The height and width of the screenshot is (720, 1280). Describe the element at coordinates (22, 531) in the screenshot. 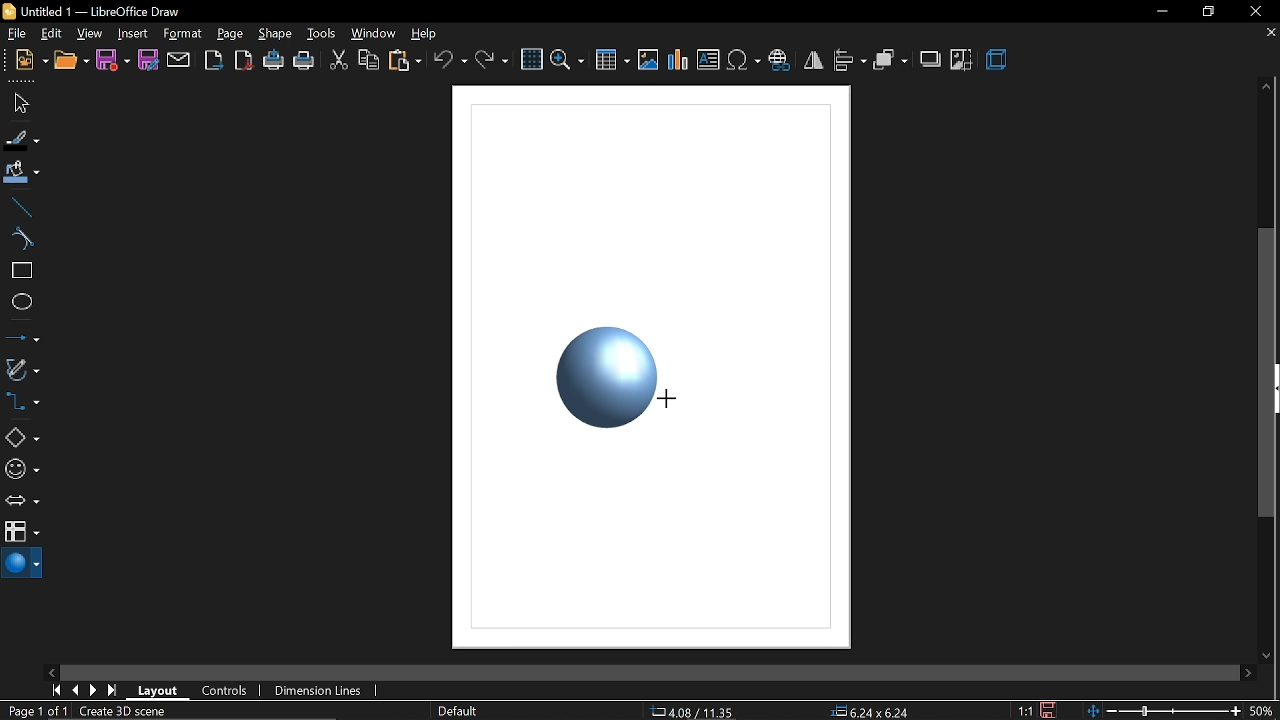

I see `flowchart` at that location.